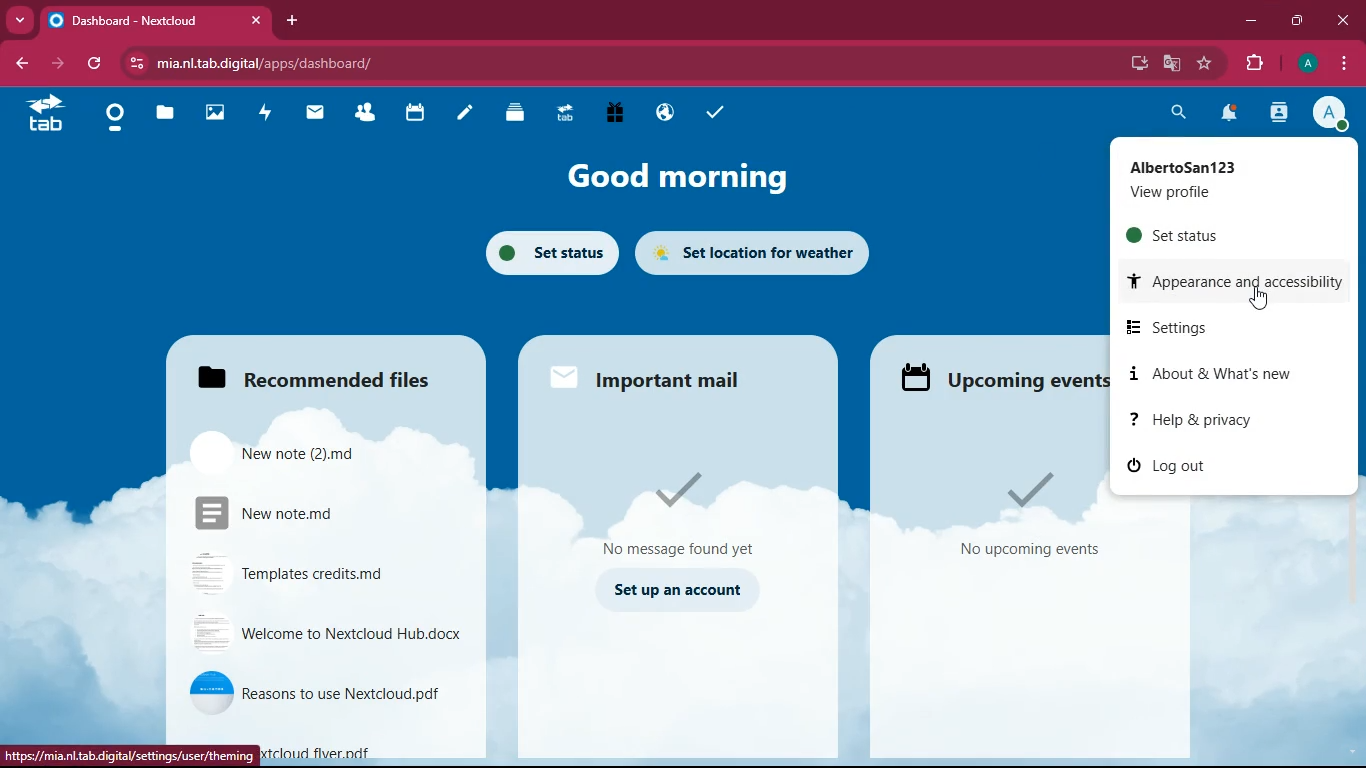 The image size is (1366, 768). I want to click on set status, so click(543, 252).